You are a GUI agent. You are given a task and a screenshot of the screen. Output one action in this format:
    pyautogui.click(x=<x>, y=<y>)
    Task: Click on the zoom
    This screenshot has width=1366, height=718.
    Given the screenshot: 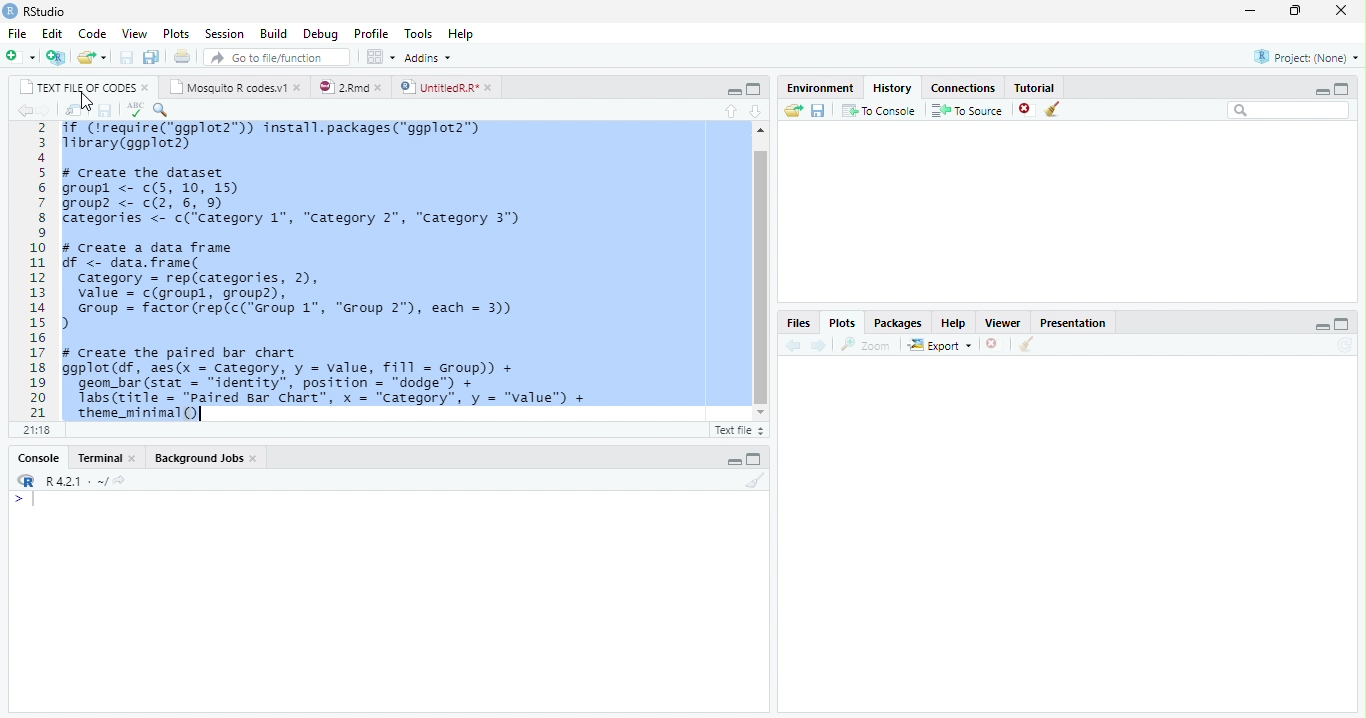 What is the action you would take?
    pyautogui.click(x=867, y=344)
    